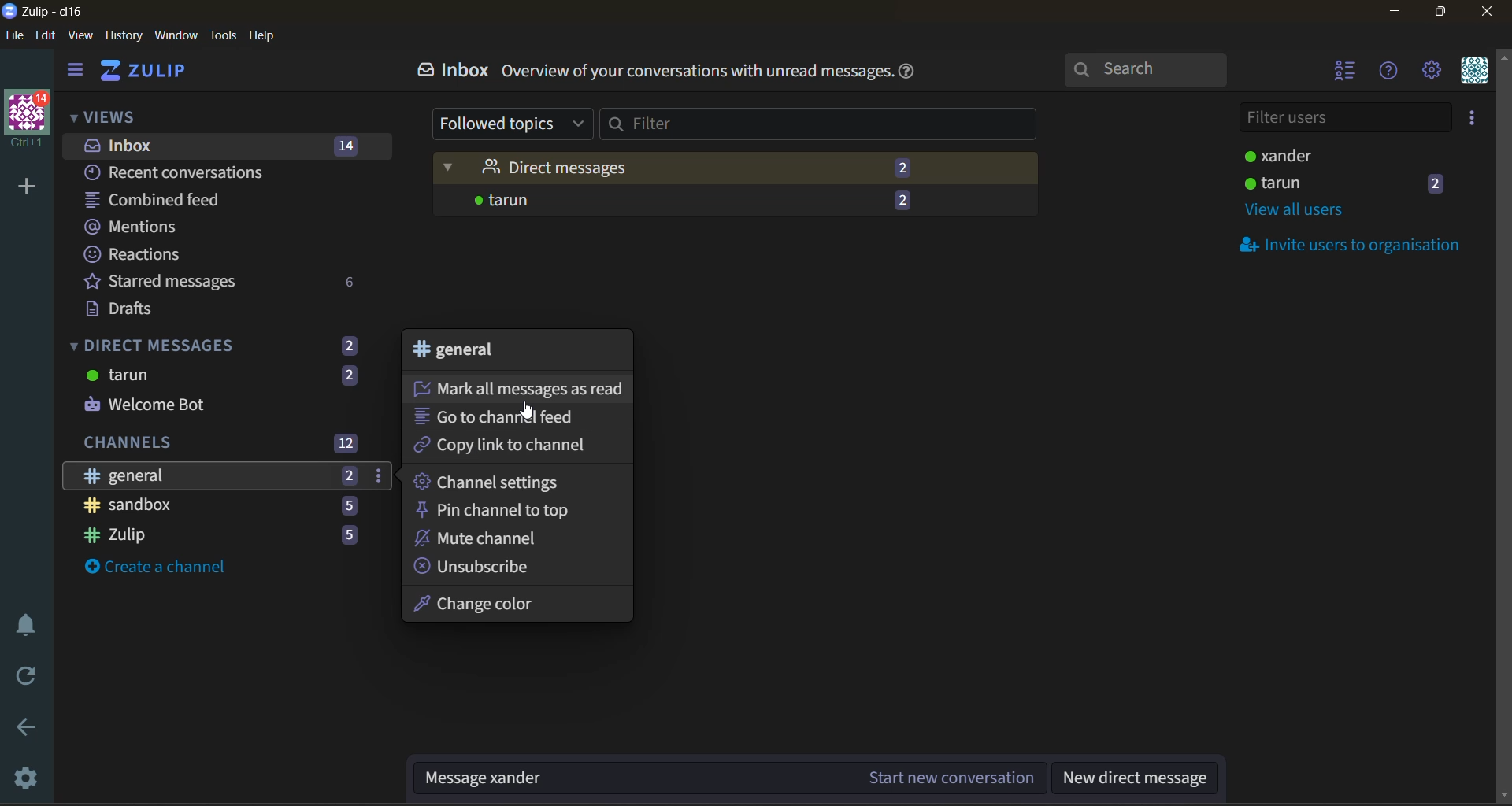 The width and height of the screenshot is (1512, 806). Describe the element at coordinates (1485, 12) in the screenshot. I see `close` at that location.